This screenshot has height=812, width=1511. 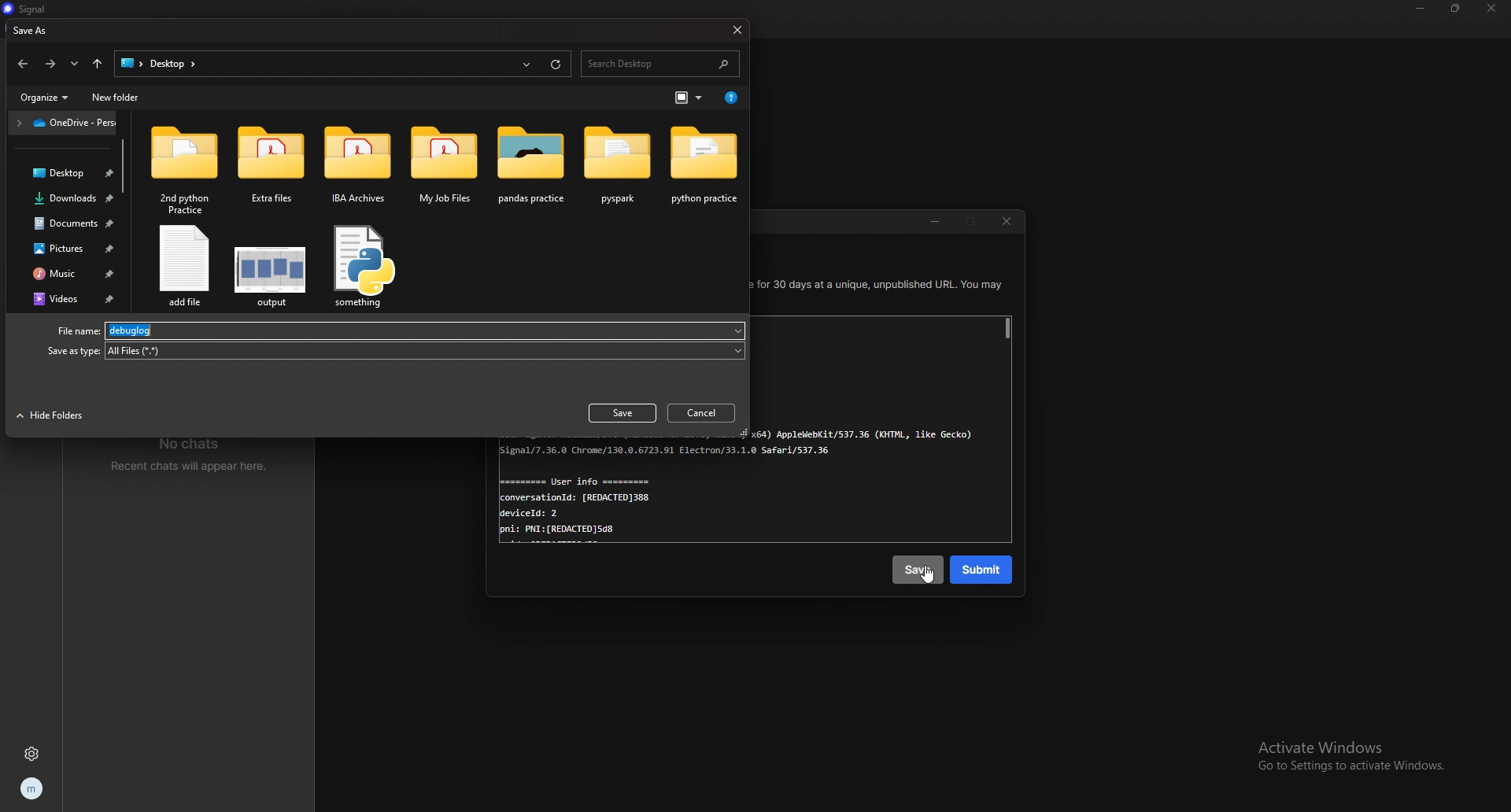 What do you see at coordinates (399, 330) in the screenshot?
I see `file` at bounding box center [399, 330].